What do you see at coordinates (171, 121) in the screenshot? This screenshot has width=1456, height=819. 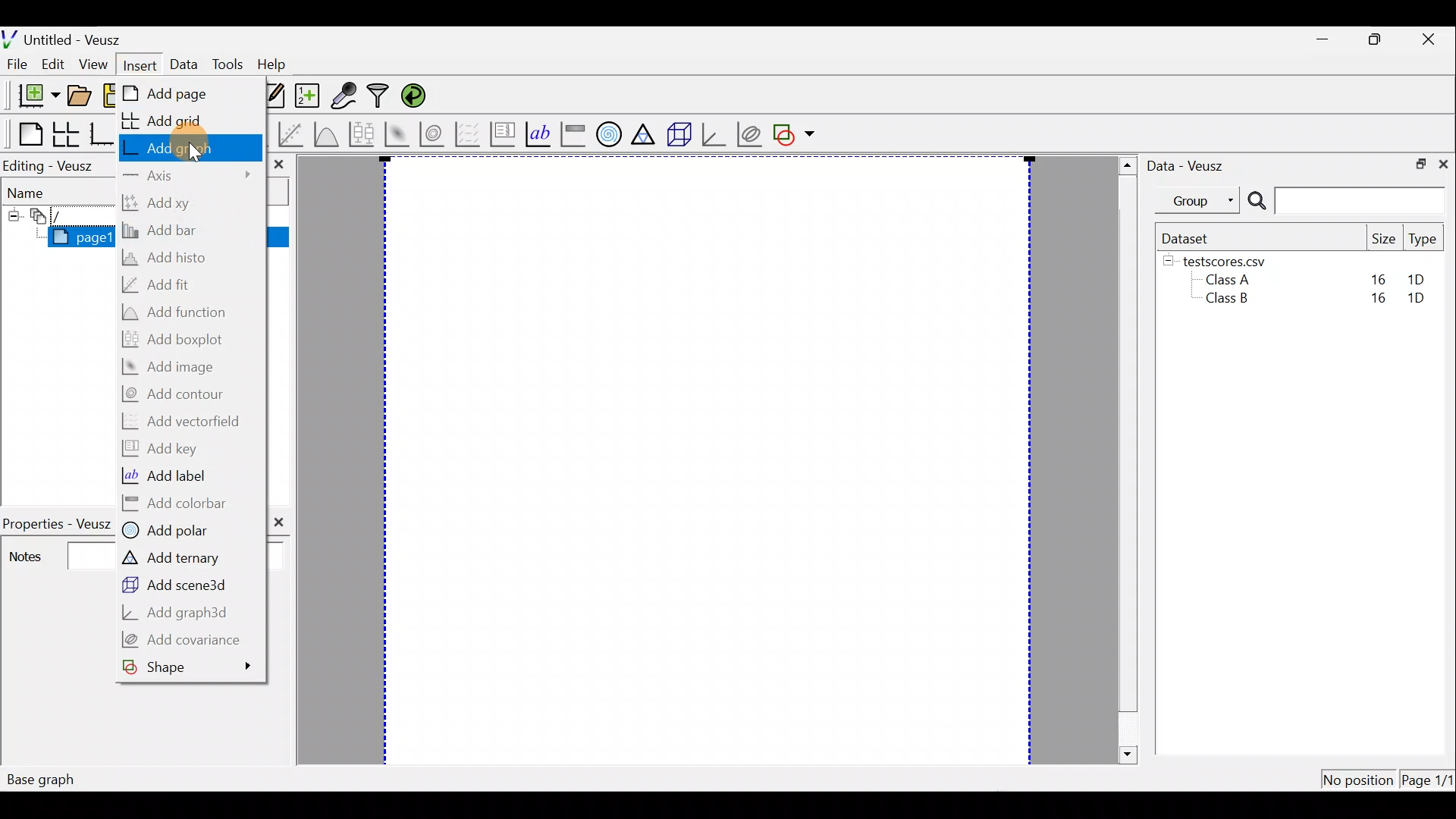 I see `Add grid` at bounding box center [171, 121].